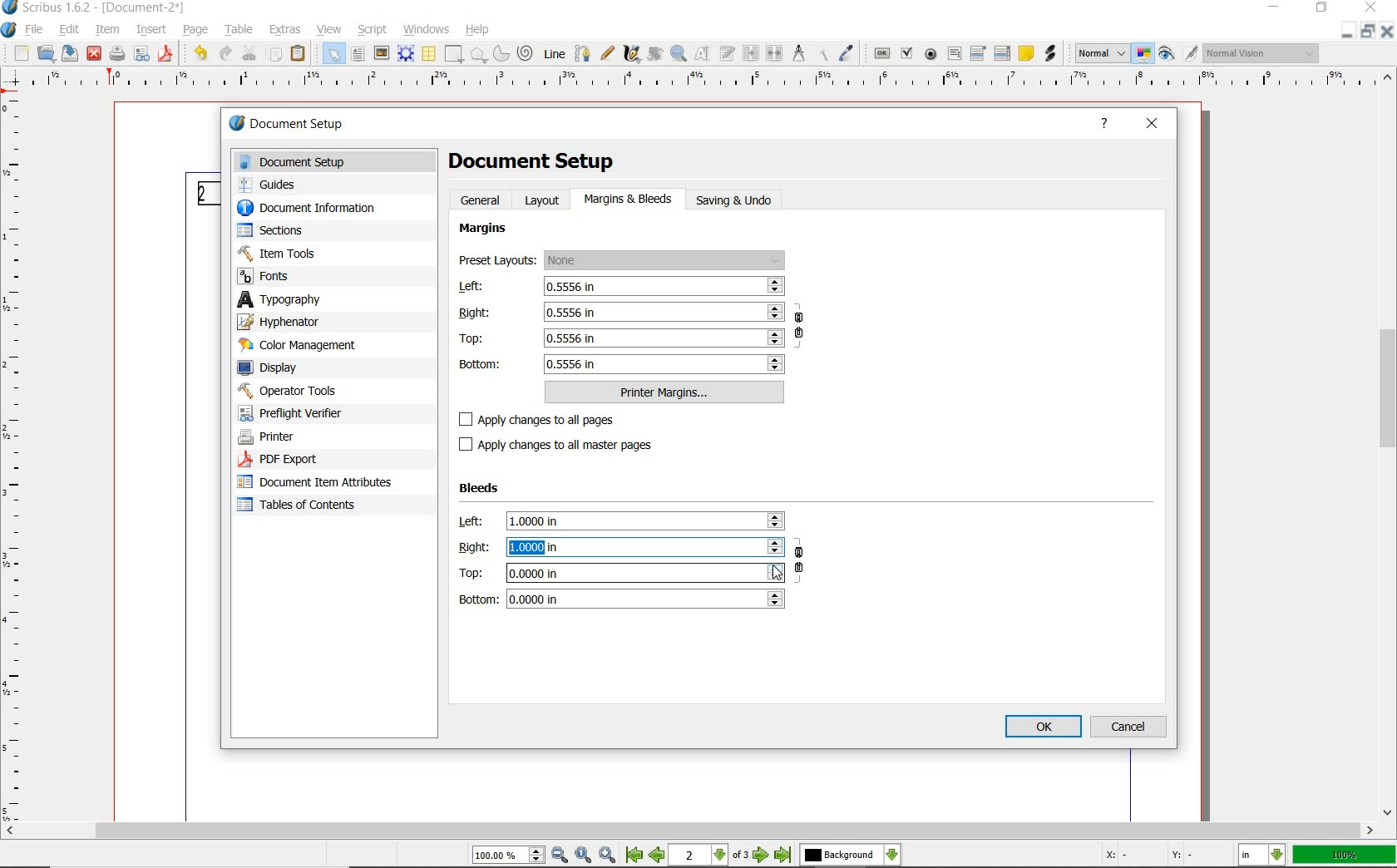  I want to click on sectors, so click(275, 232).